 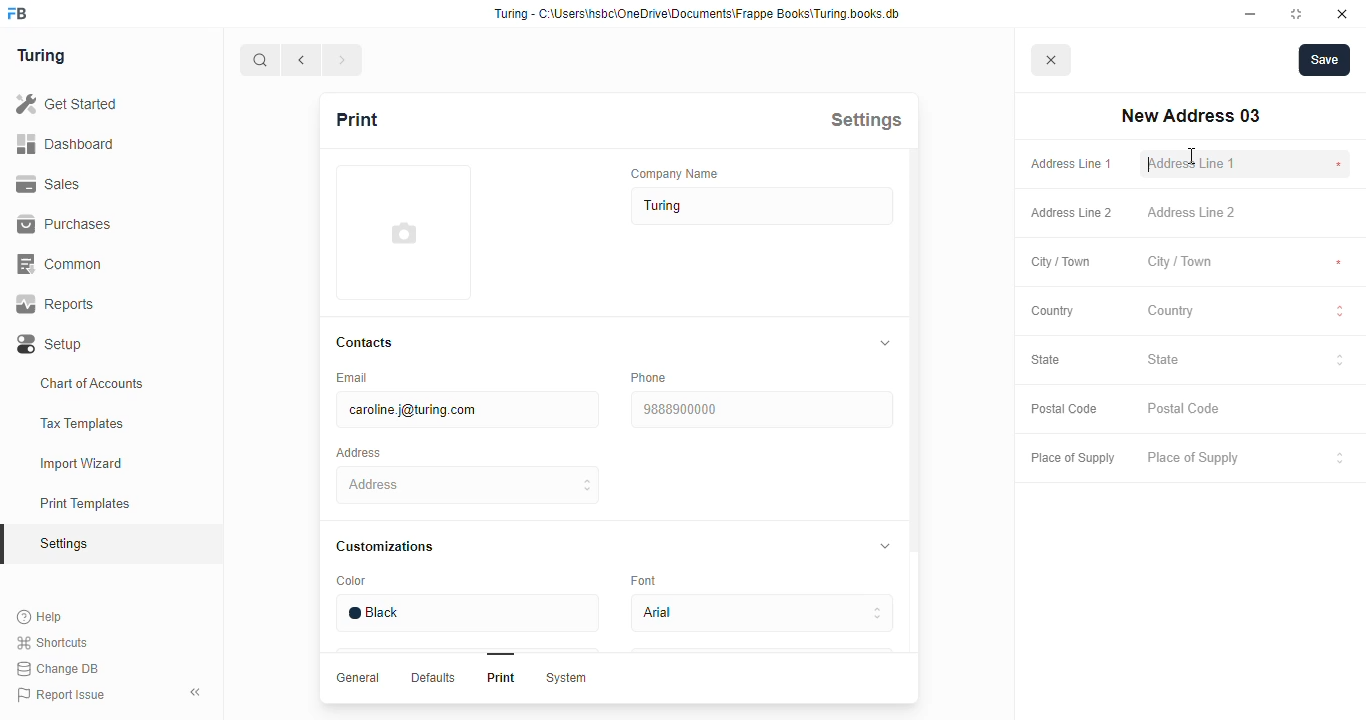 I want to click on address, so click(x=358, y=453).